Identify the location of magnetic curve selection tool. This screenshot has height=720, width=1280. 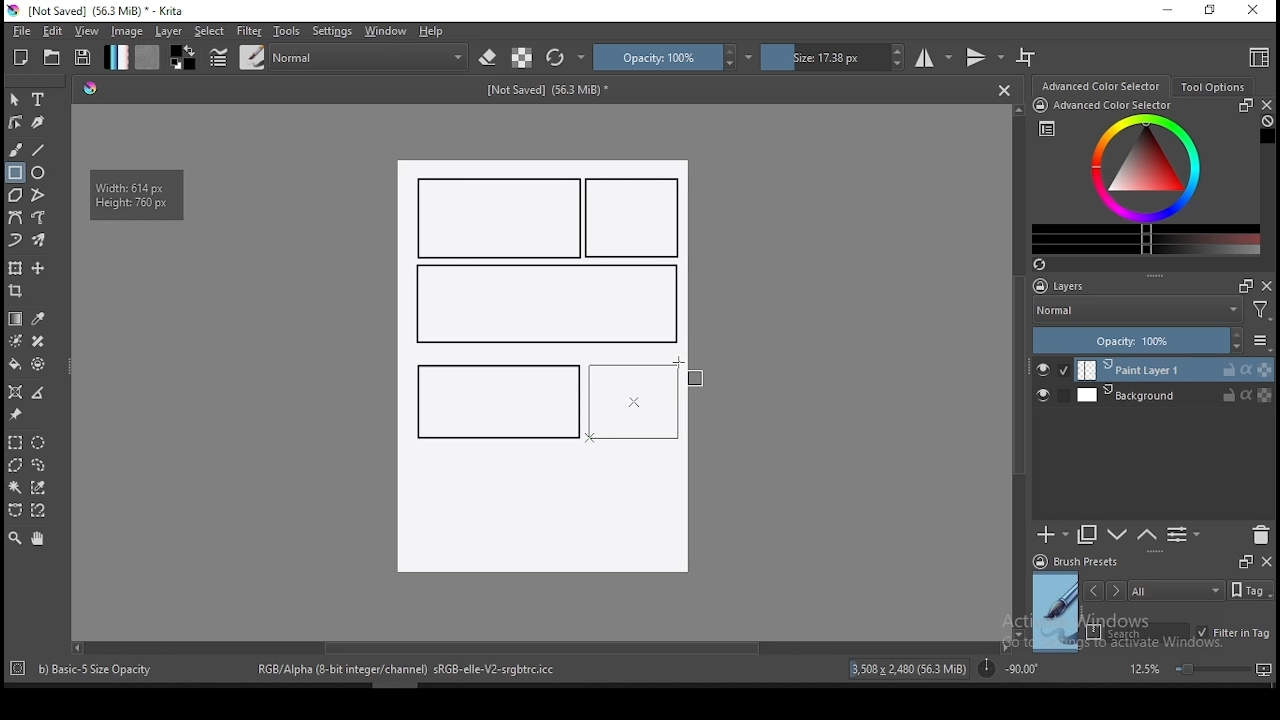
(36, 510).